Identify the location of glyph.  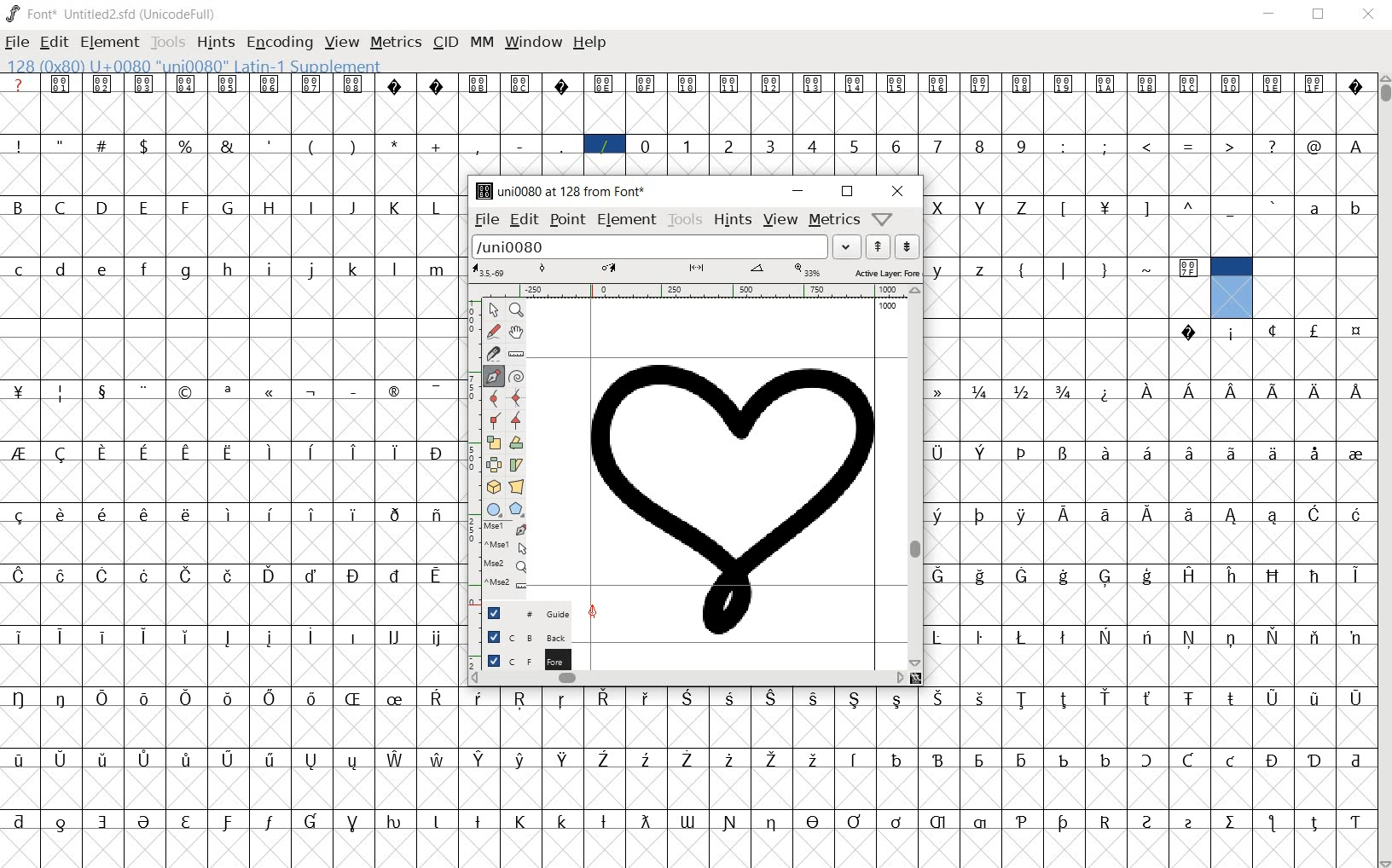
(1105, 146).